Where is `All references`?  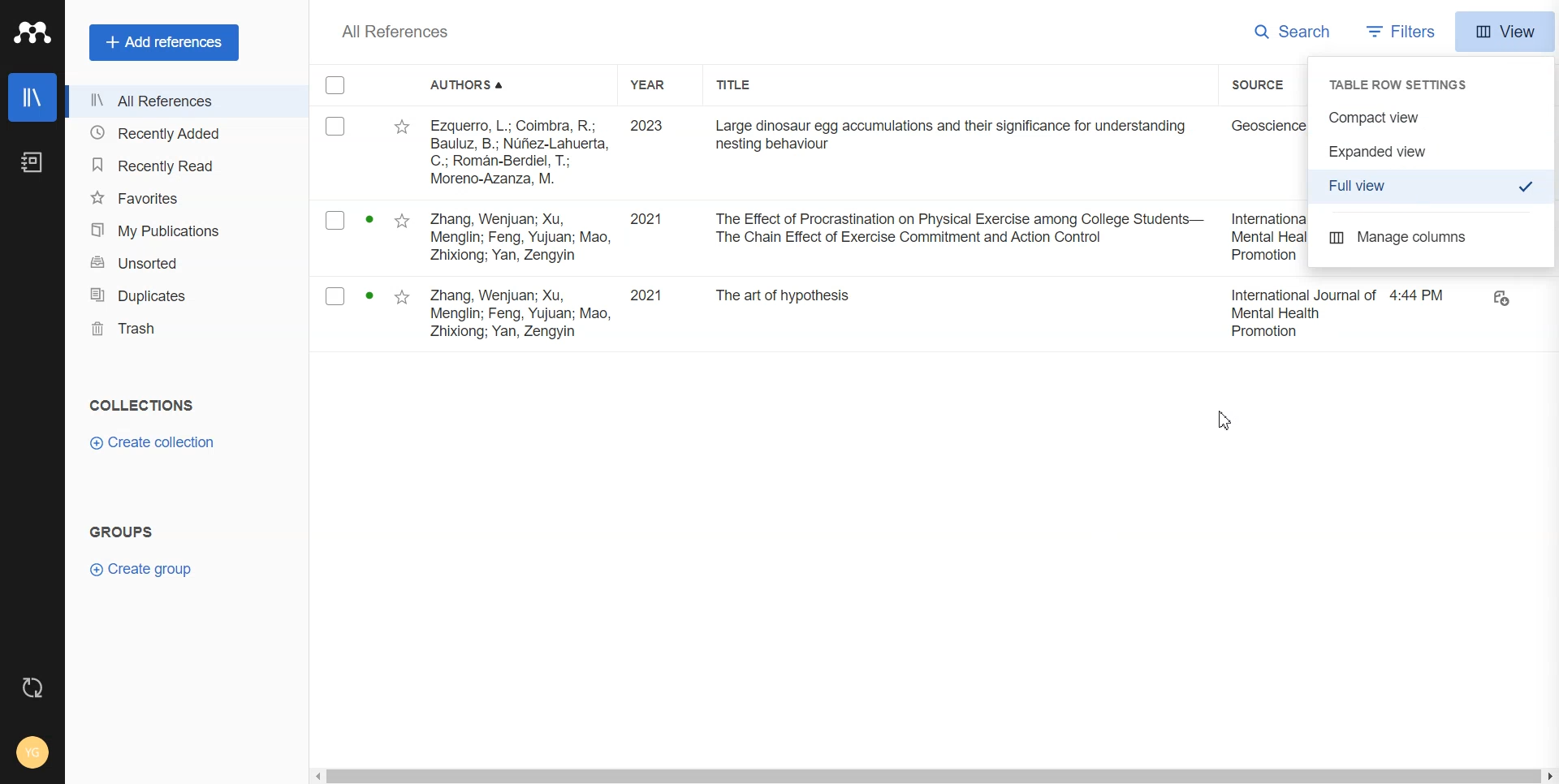
All references is located at coordinates (170, 101).